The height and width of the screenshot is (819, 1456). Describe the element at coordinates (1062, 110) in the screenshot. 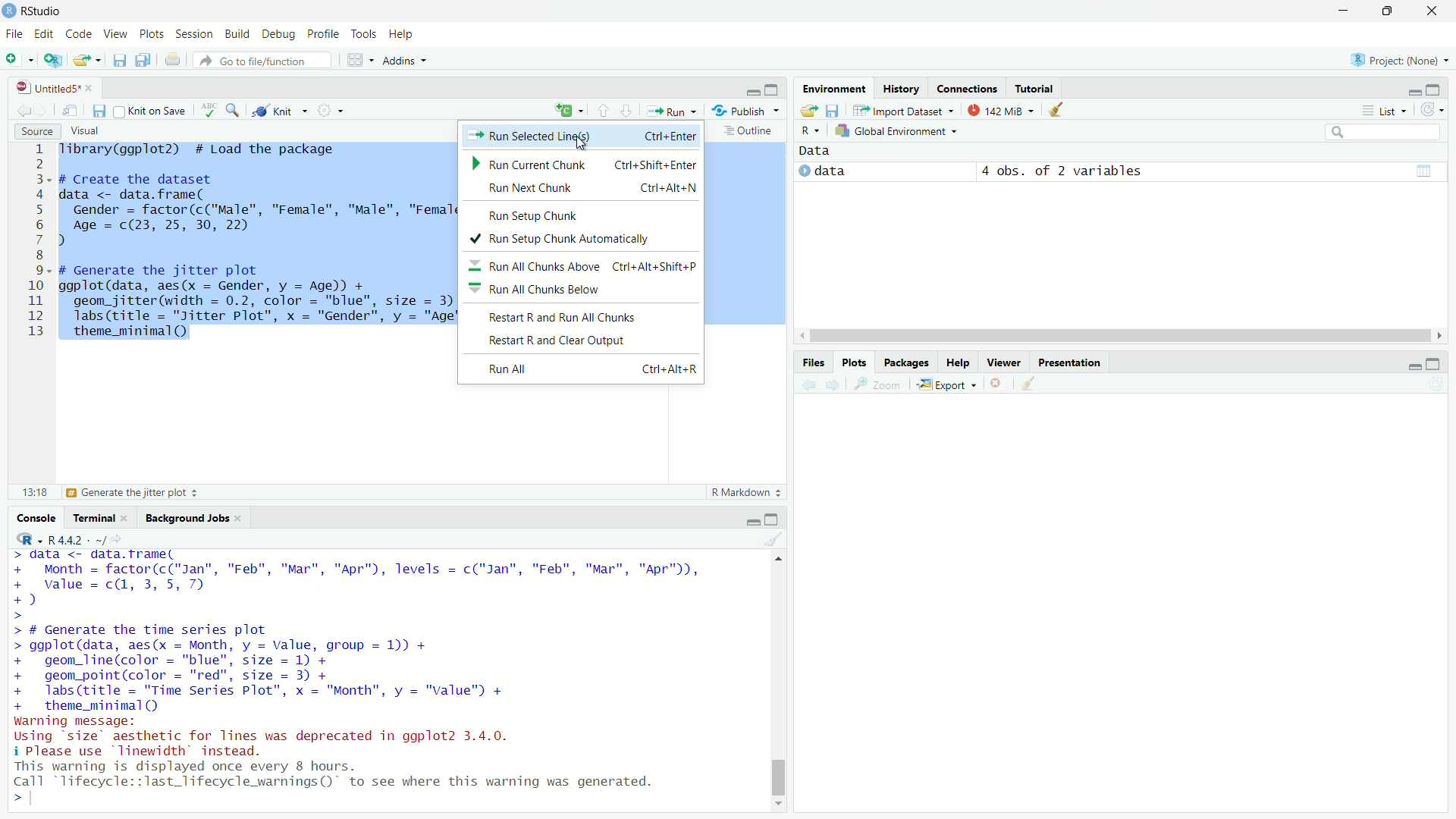

I see `clear objects from the workspace` at that location.